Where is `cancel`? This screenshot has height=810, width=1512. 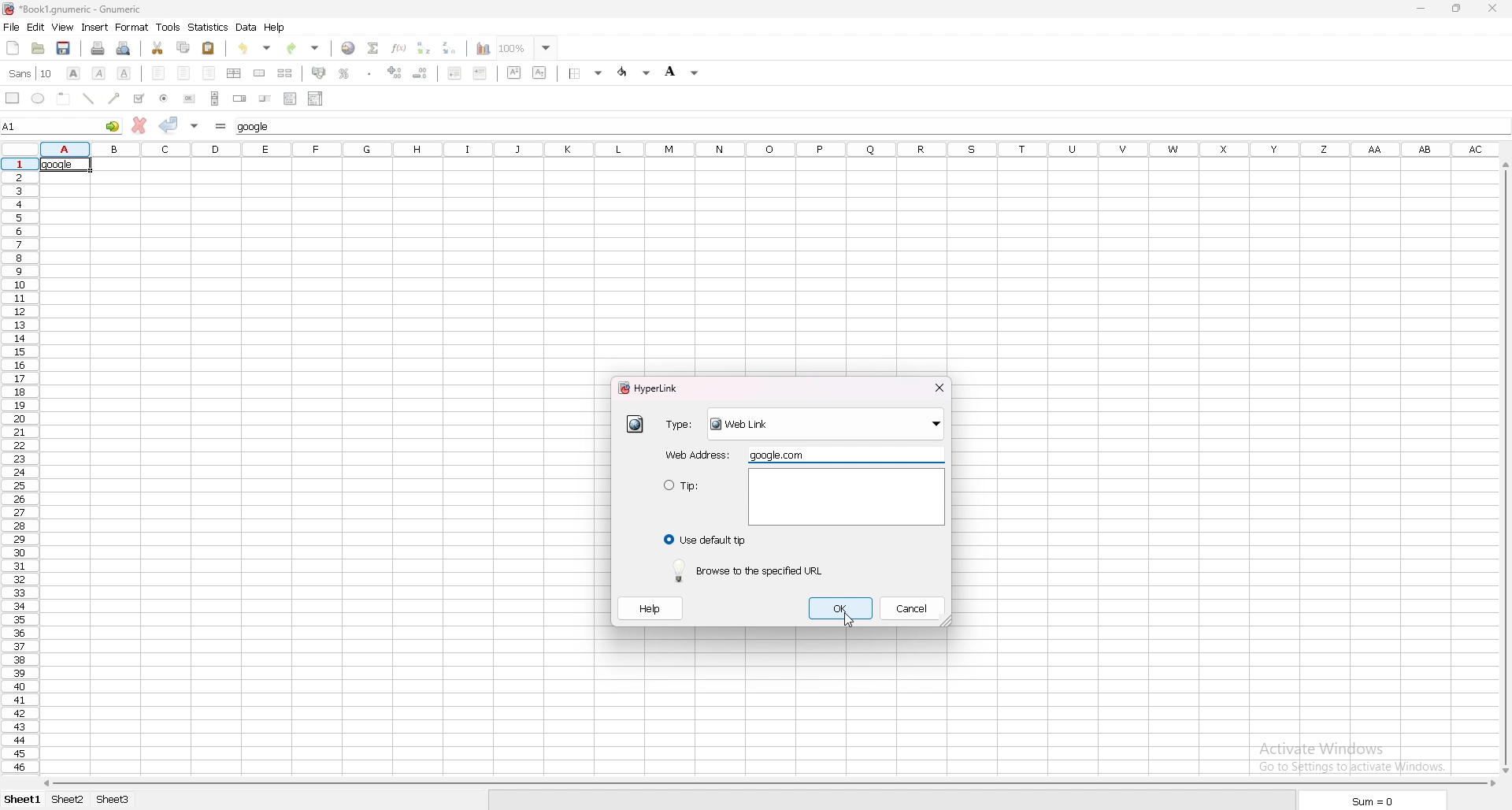 cancel is located at coordinates (910, 607).